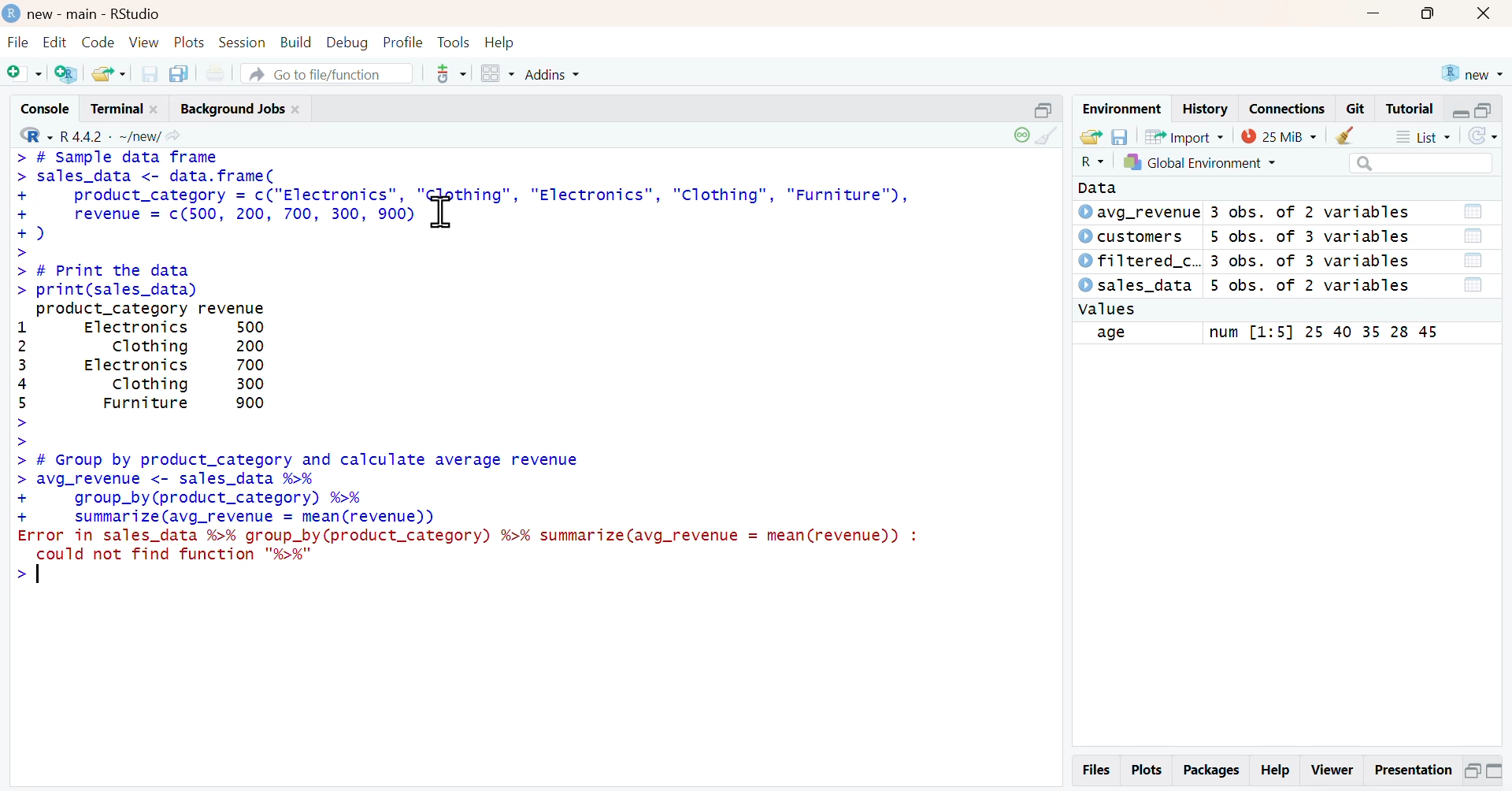 The width and height of the screenshot is (1512, 791). I want to click on Close, so click(1483, 14).